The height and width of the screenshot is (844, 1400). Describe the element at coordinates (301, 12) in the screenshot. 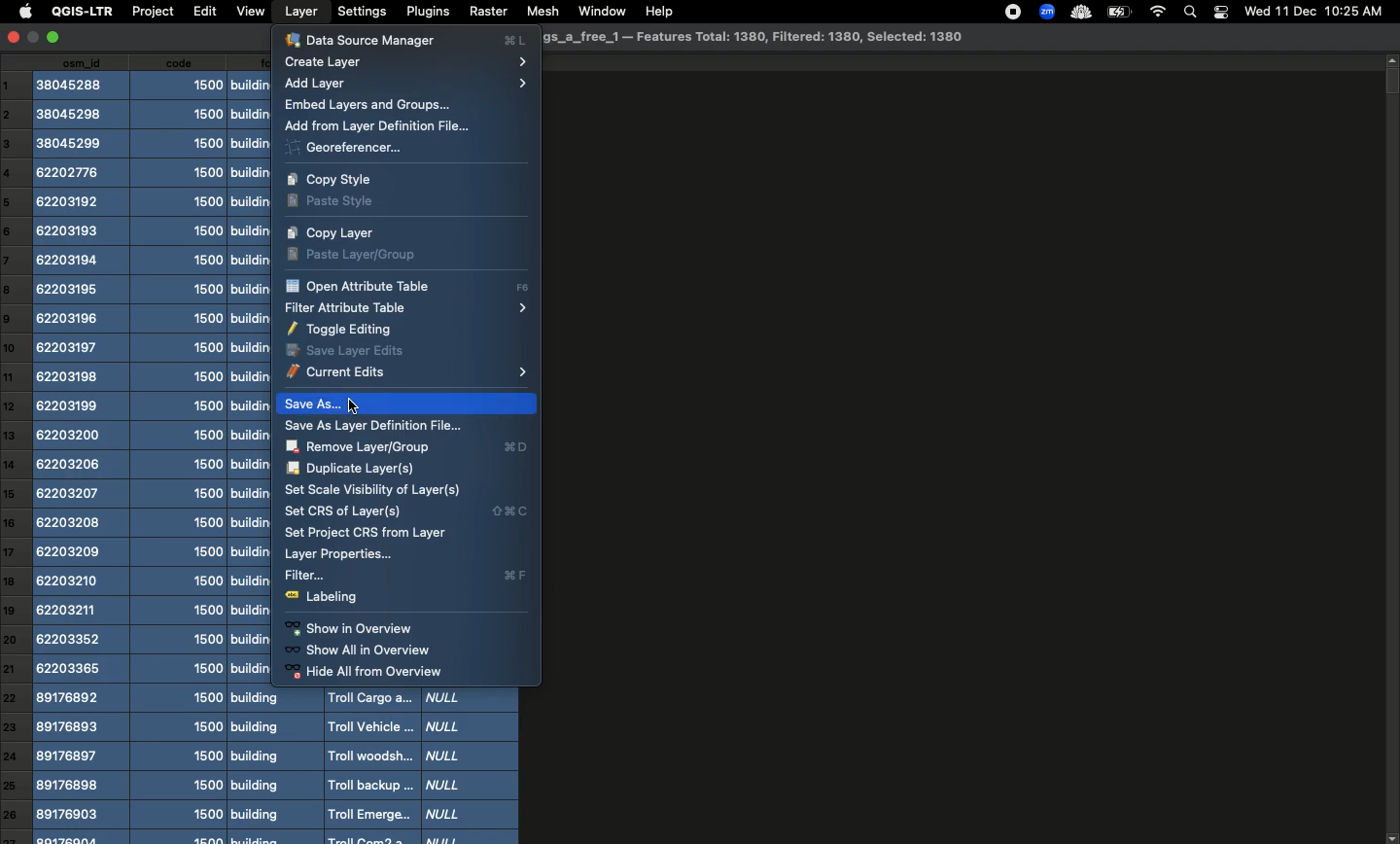

I see `Layer` at that location.